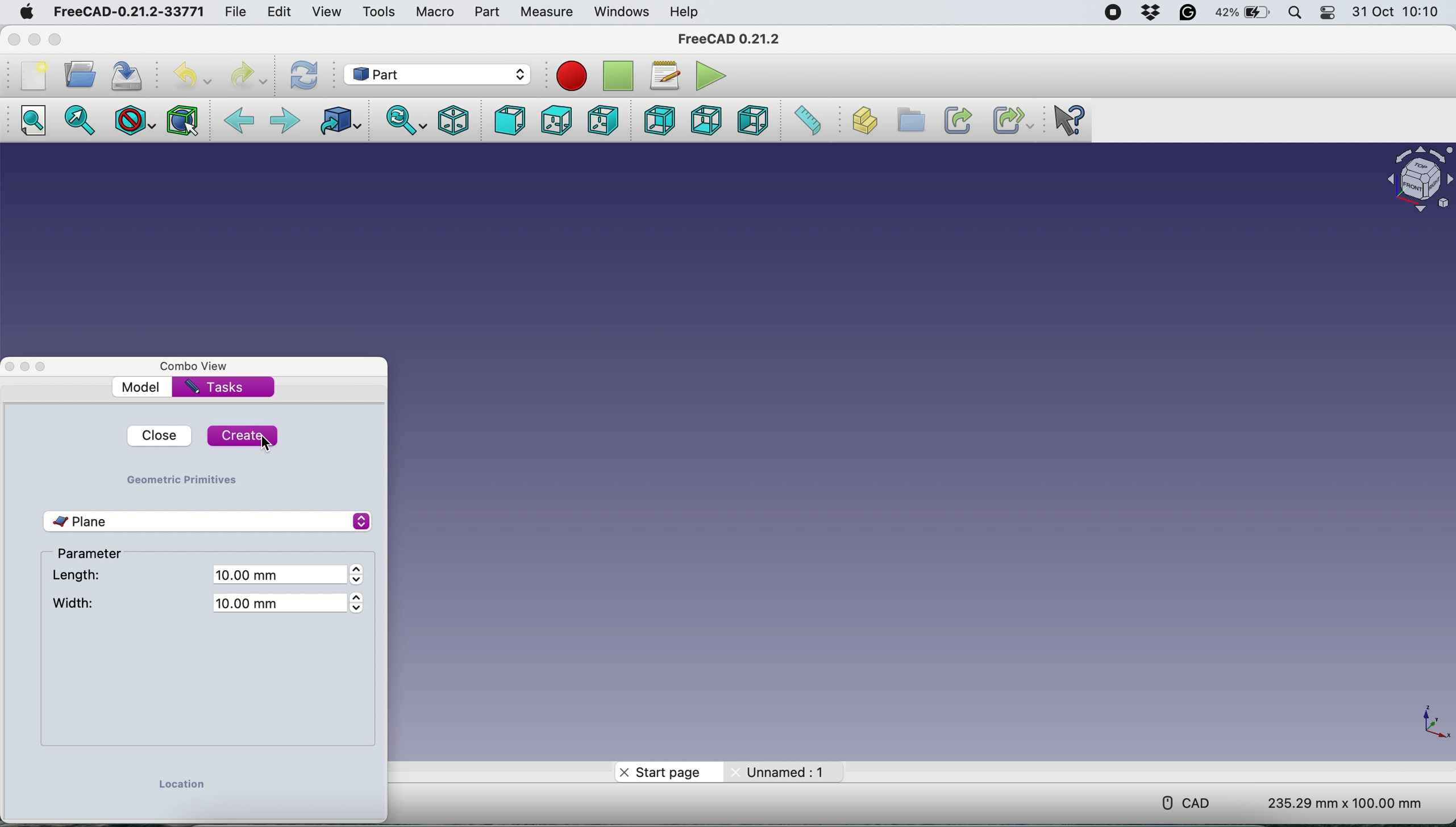  What do you see at coordinates (96, 555) in the screenshot?
I see `parameter` at bounding box center [96, 555].